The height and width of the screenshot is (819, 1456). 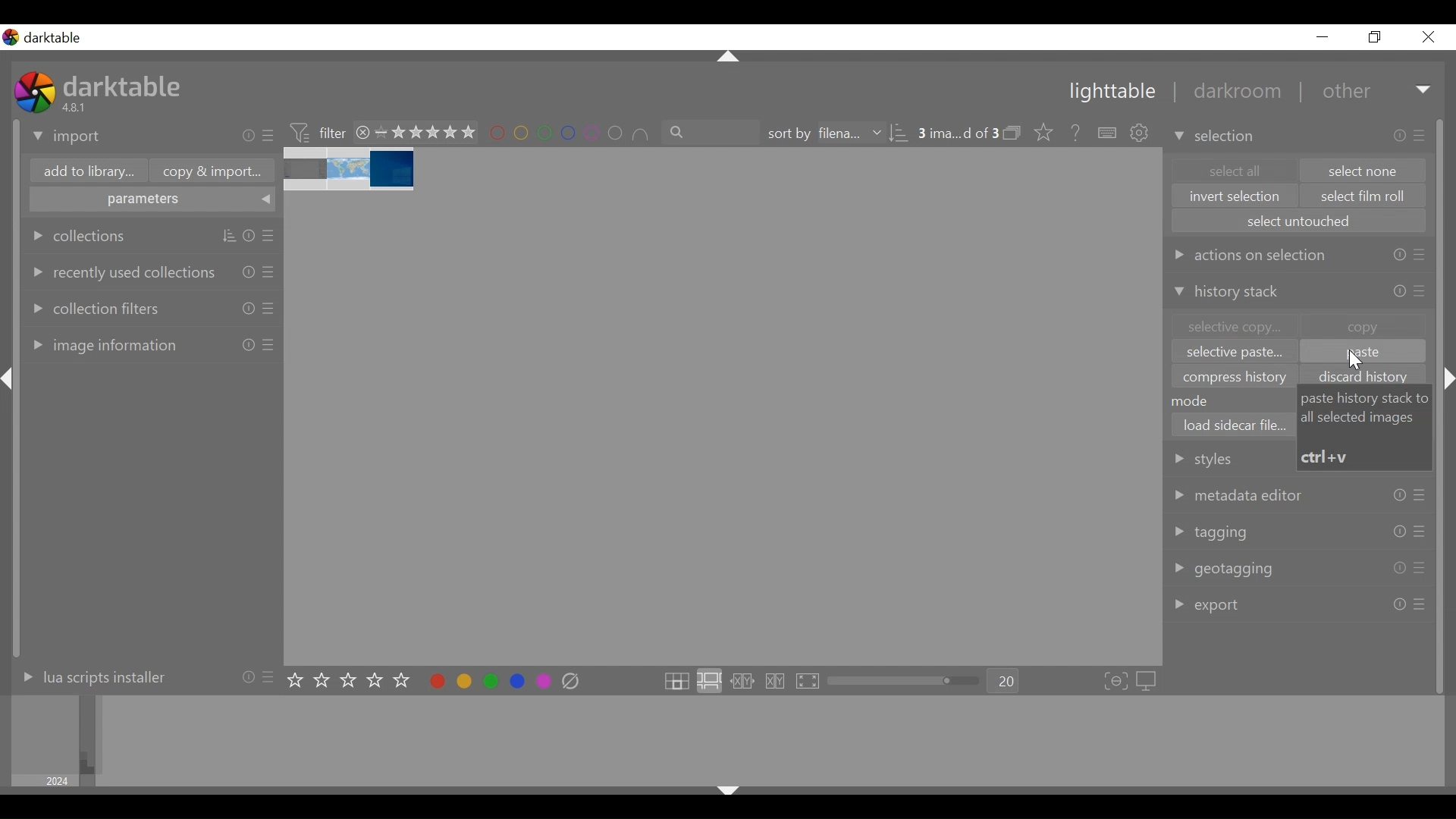 I want to click on select film roll, so click(x=1364, y=197).